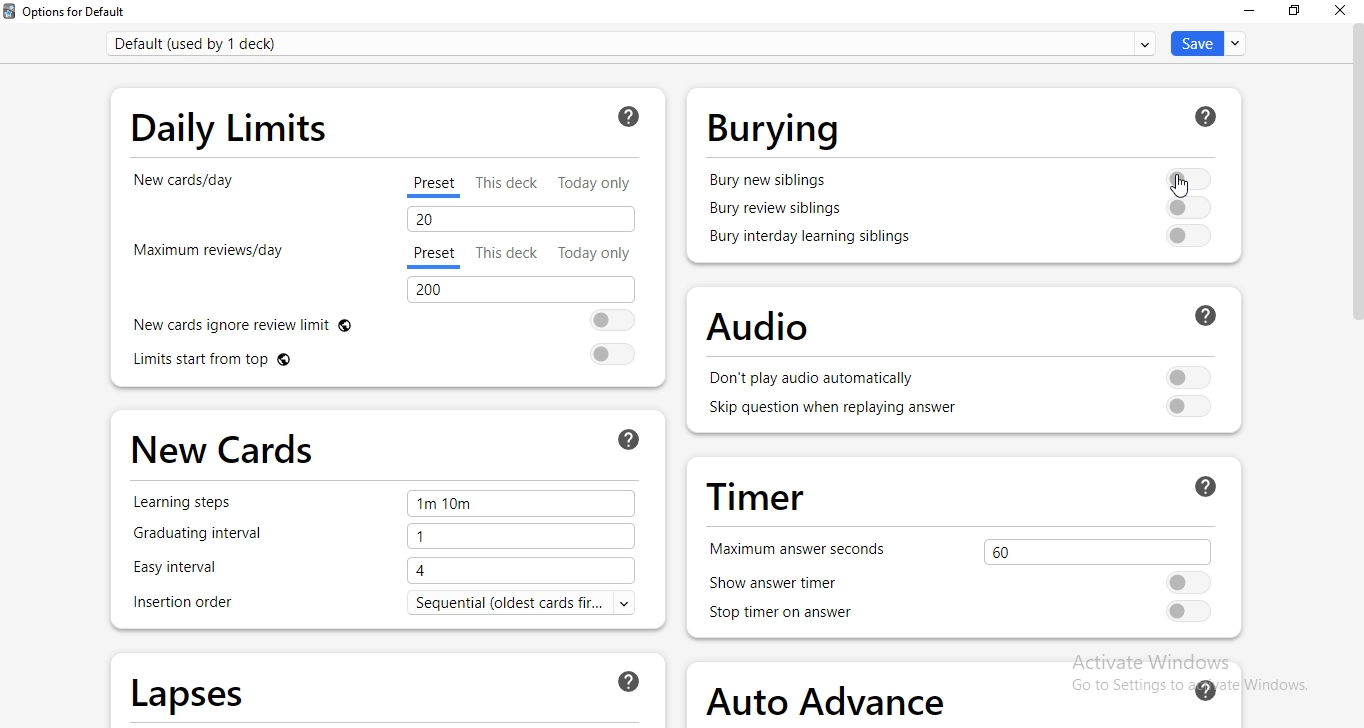  What do you see at coordinates (437, 187) in the screenshot?
I see `preset` at bounding box center [437, 187].